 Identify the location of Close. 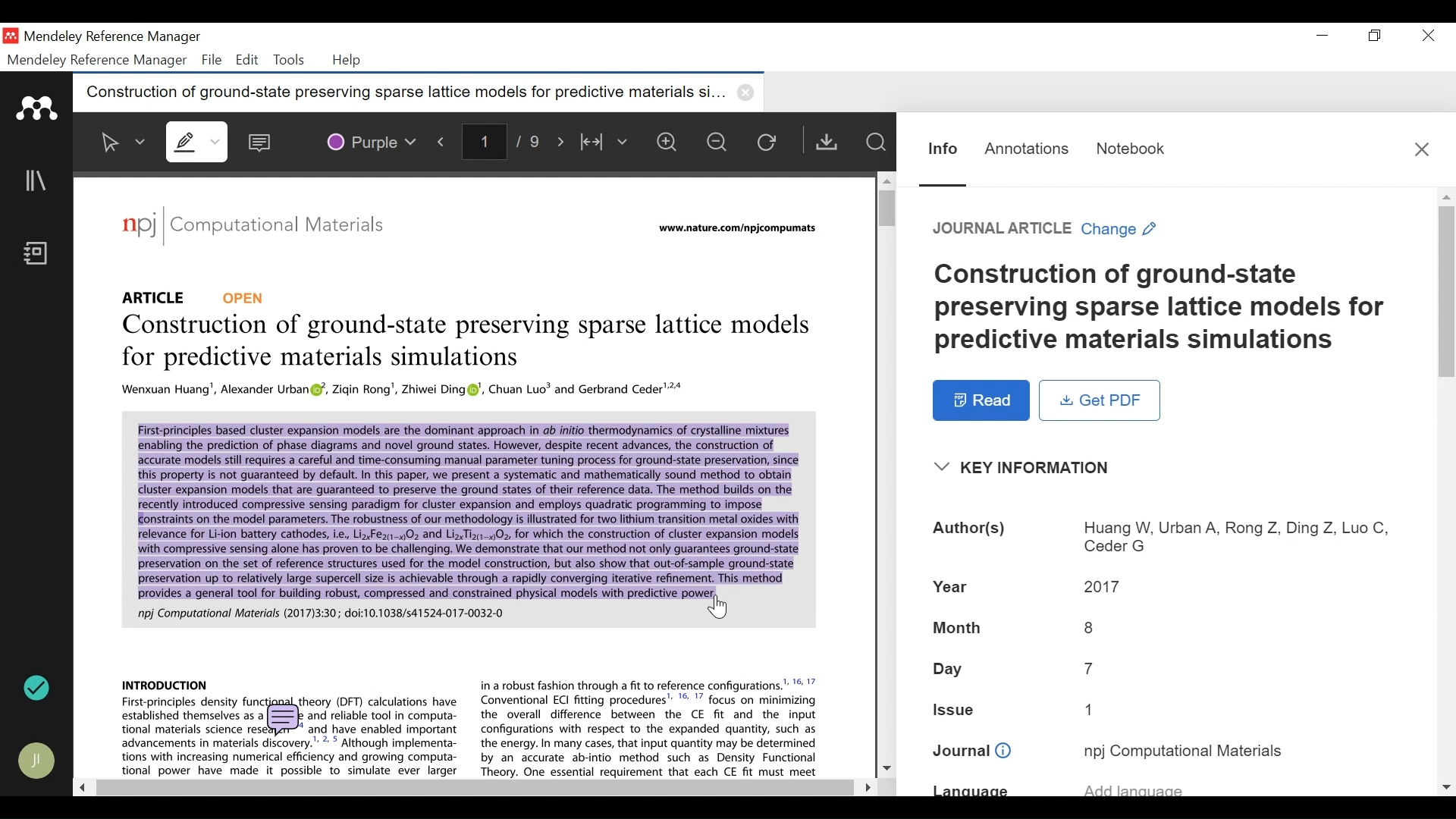
(1425, 36).